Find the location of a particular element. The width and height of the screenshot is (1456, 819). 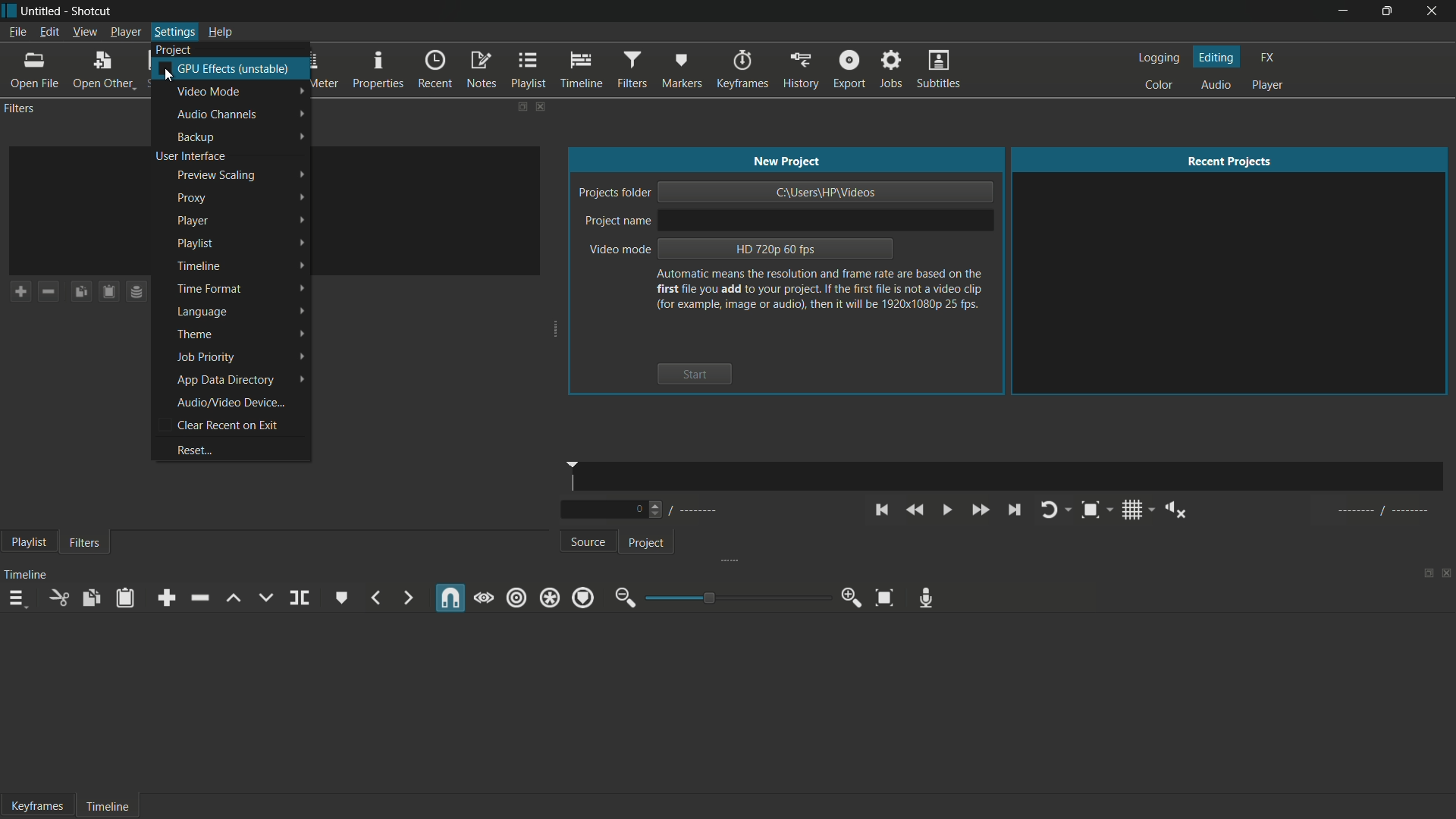

text is located at coordinates (821, 290).